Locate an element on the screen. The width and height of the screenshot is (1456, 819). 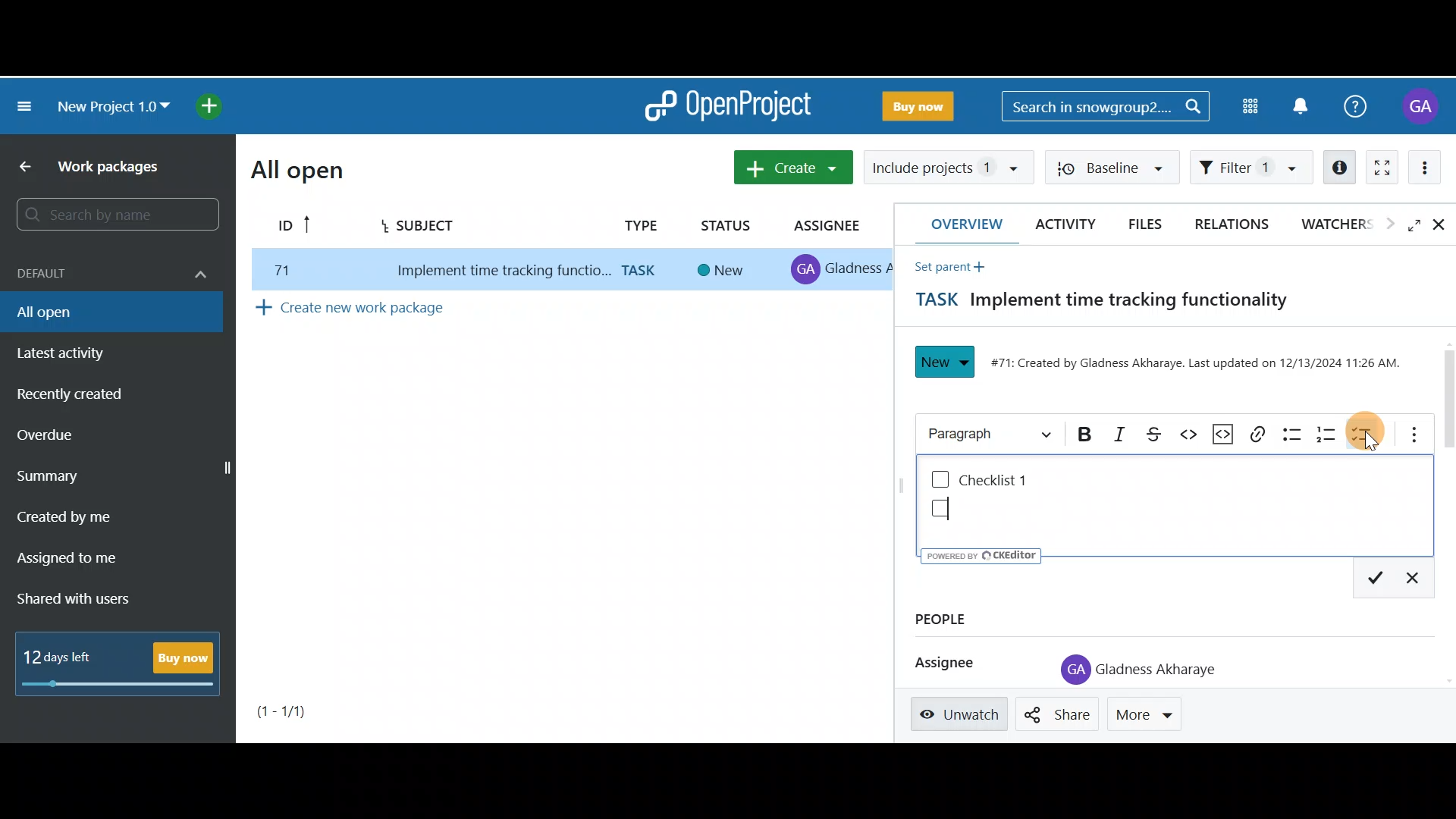
Create new work package is located at coordinates (390, 311).